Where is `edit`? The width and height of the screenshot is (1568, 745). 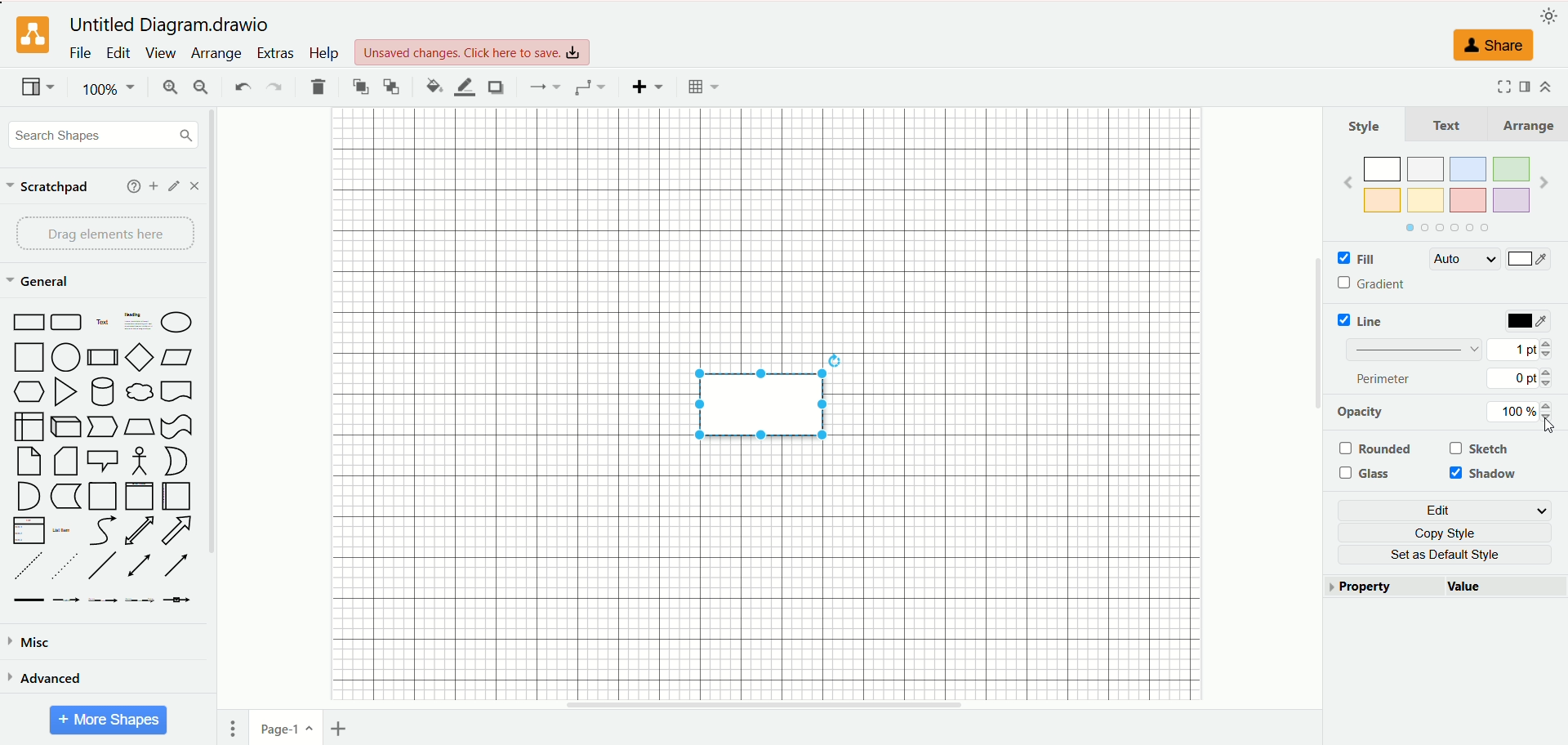
edit is located at coordinates (118, 53).